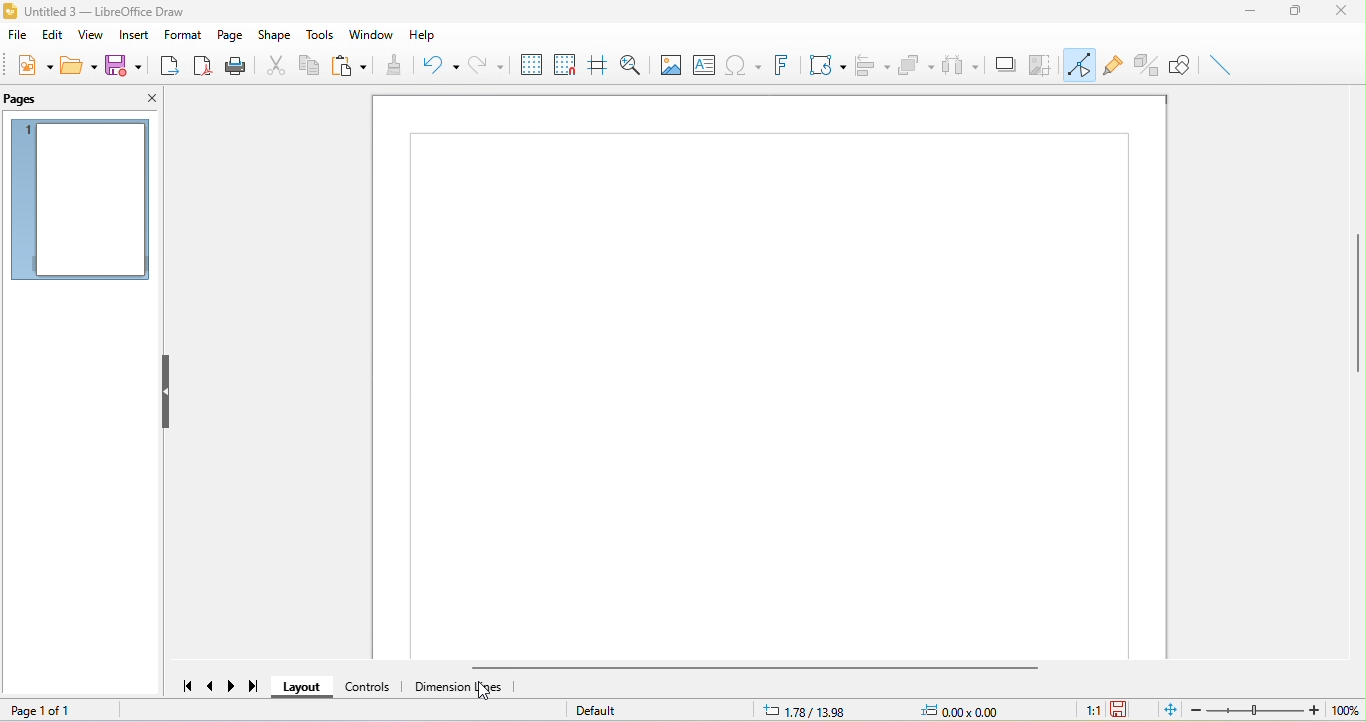  I want to click on dimension line, so click(469, 689).